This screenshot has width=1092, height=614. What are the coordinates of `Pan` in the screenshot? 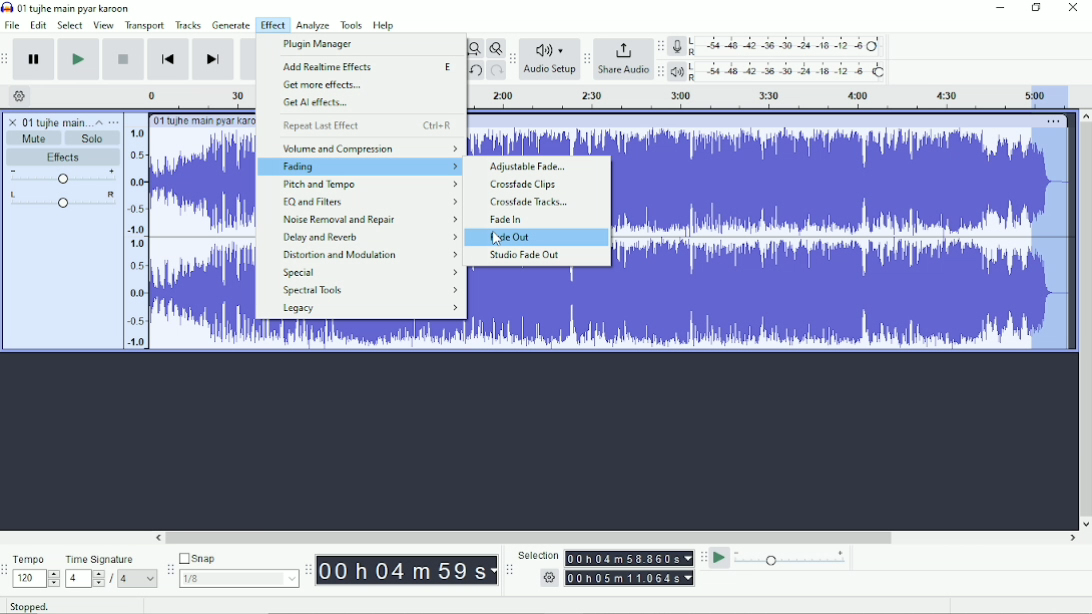 It's located at (60, 200).